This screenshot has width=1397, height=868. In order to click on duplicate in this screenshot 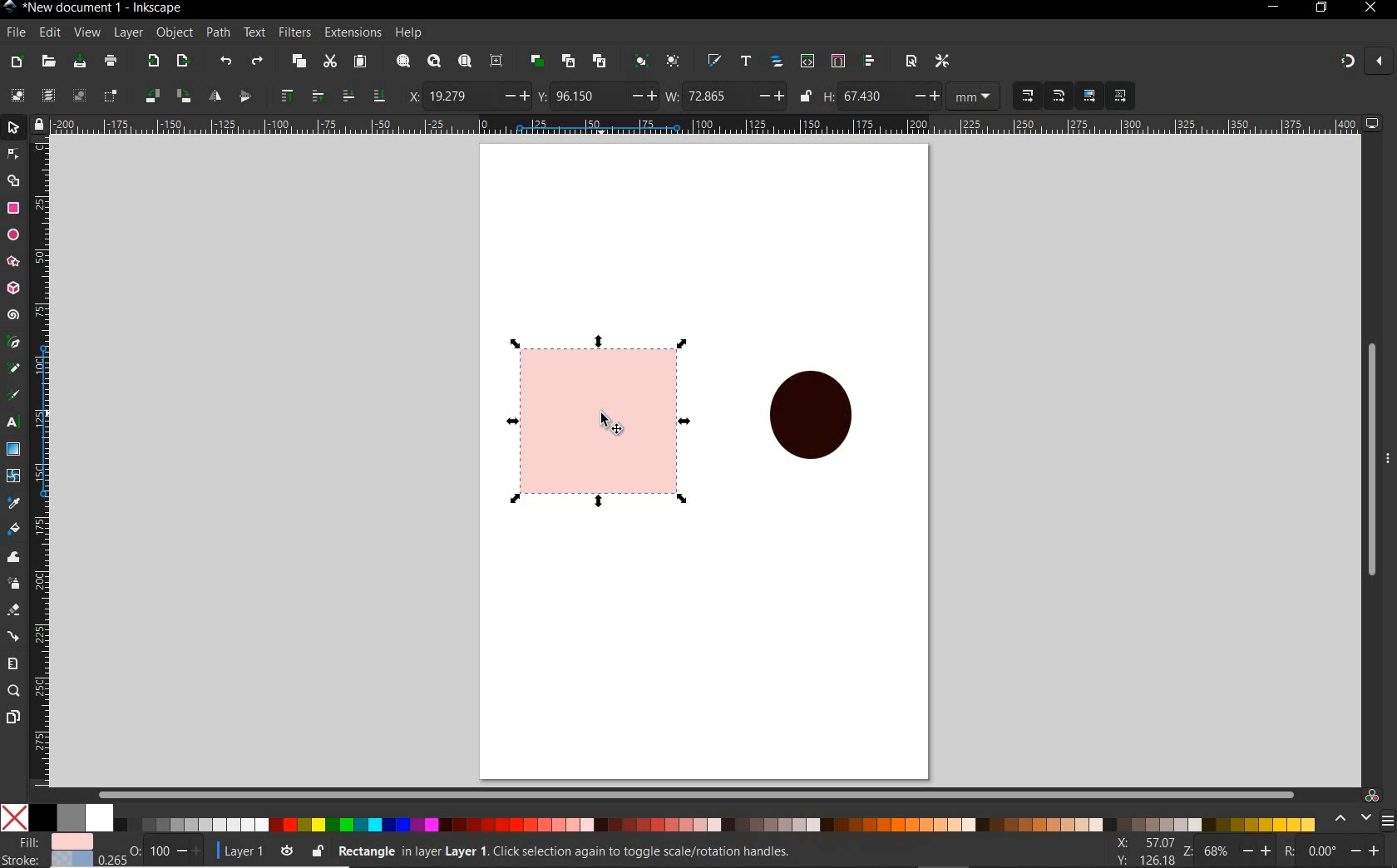, I will do `click(538, 62)`.